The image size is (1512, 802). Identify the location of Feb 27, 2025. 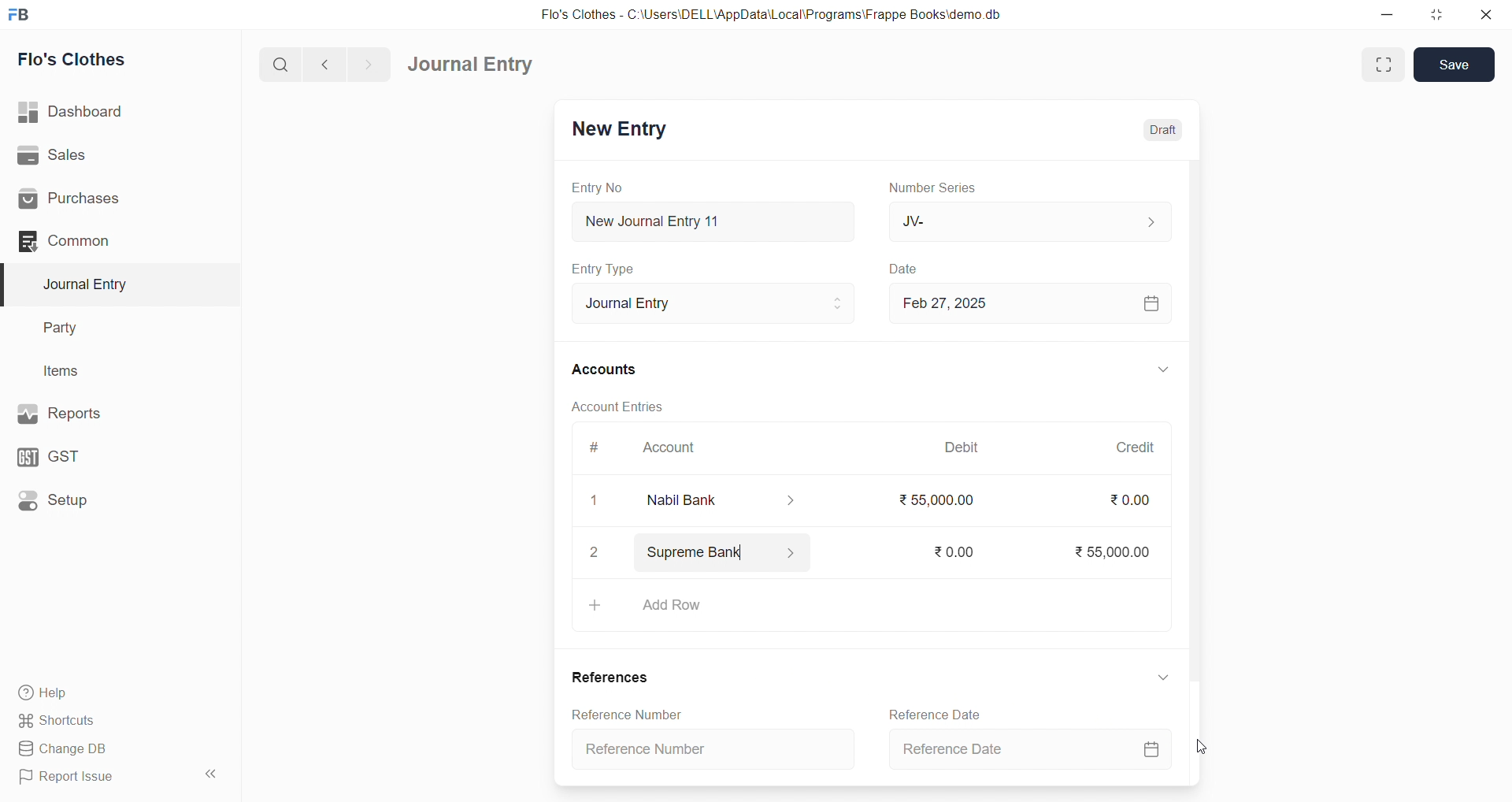
(1028, 303).